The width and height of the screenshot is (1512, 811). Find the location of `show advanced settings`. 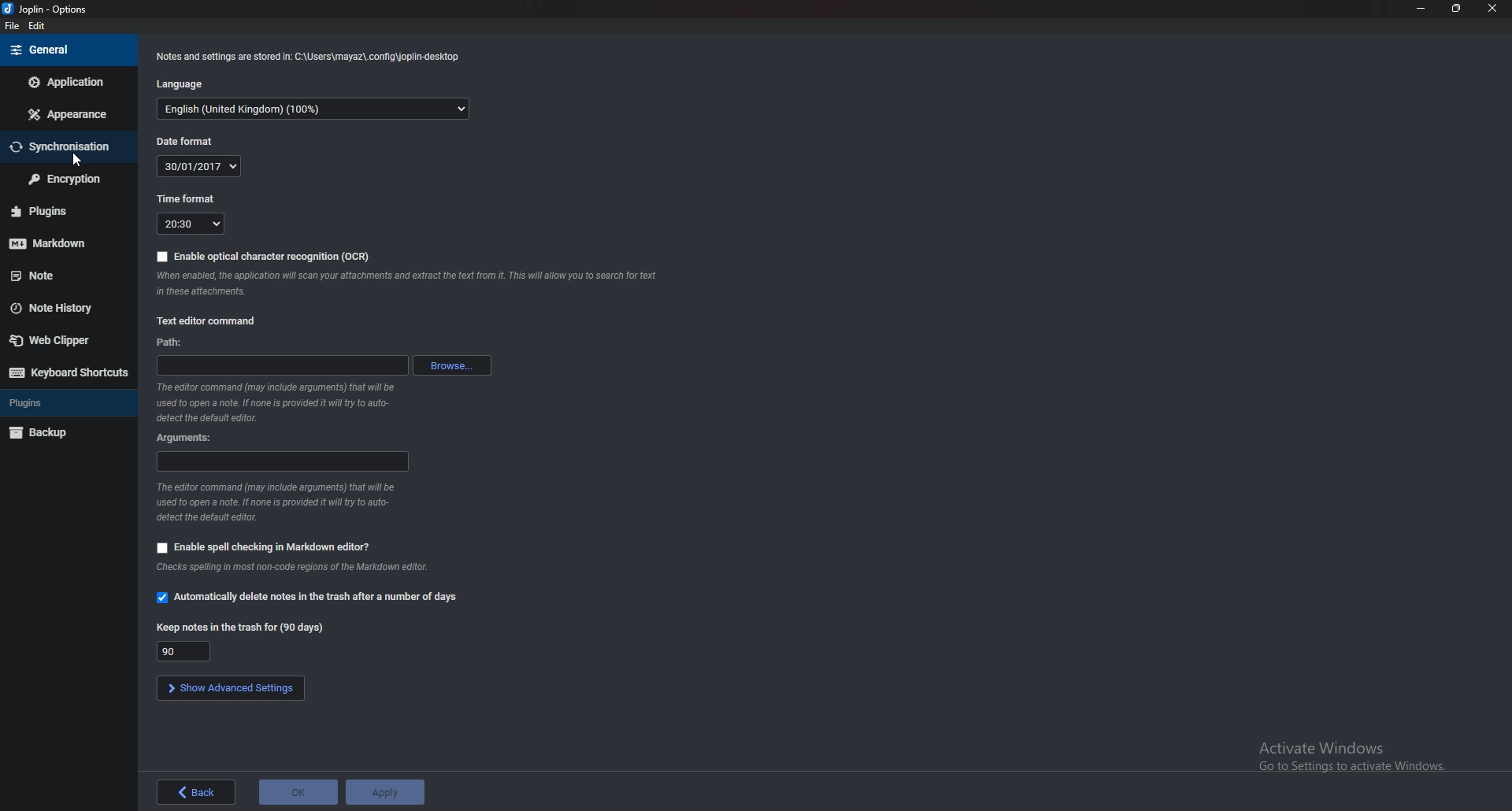

show advanced settings is located at coordinates (231, 689).